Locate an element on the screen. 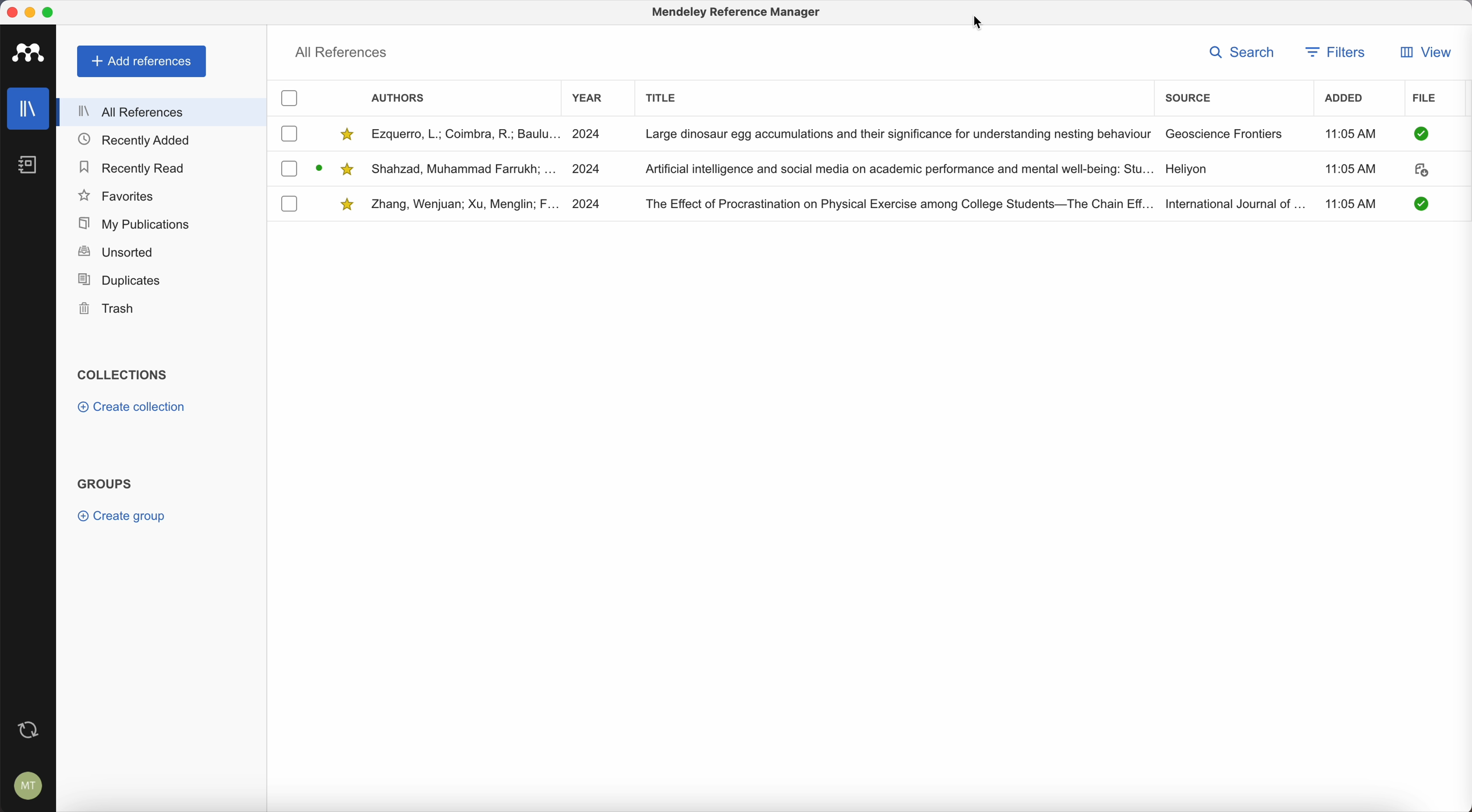 The width and height of the screenshot is (1472, 812). all references is located at coordinates (163, 111).